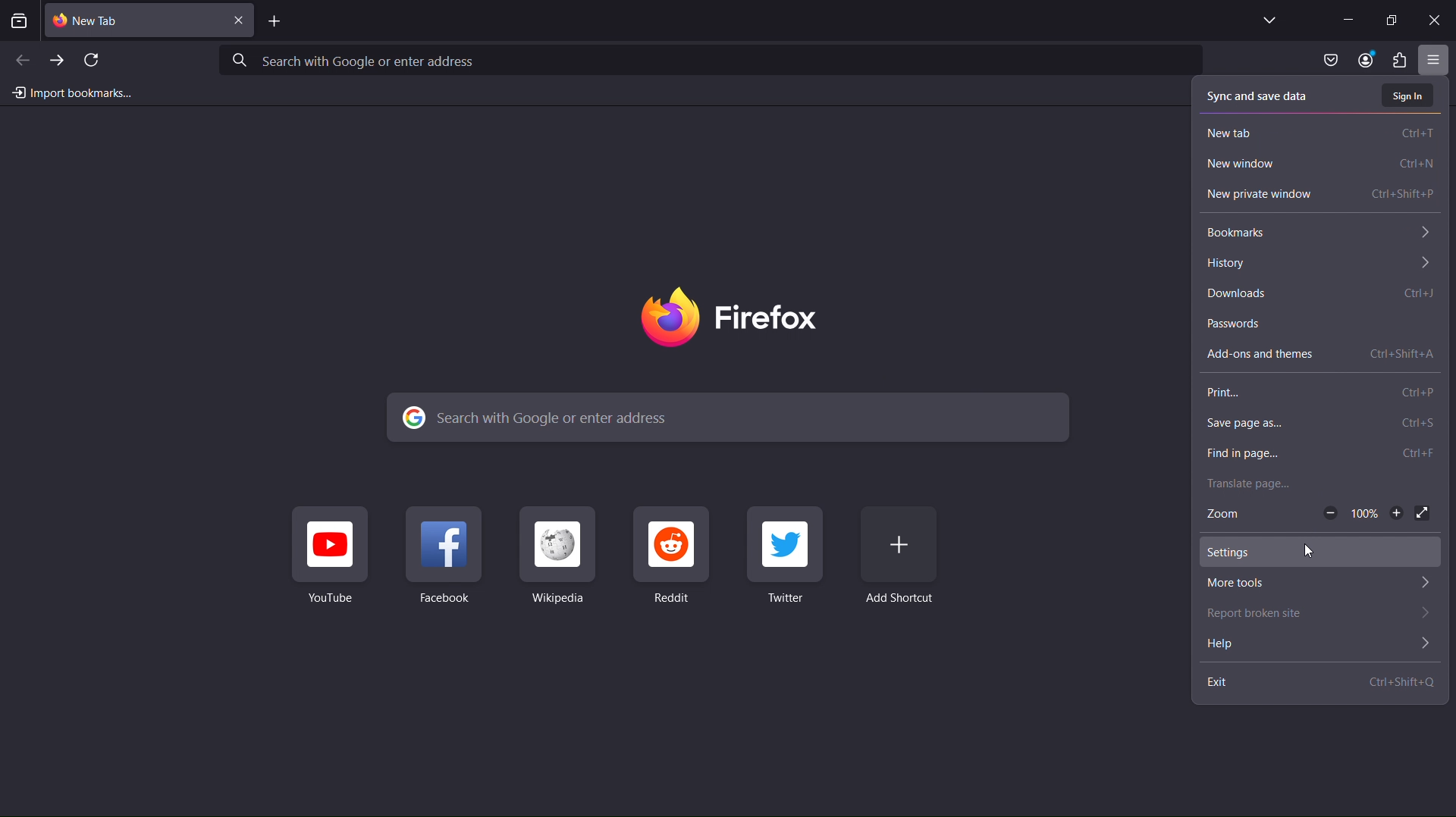 Image resolution: width=1456 pixels, height=817 pixels. Describe the element at coordinates (1324, 645) in the screenshot. I see `Help` at that location.